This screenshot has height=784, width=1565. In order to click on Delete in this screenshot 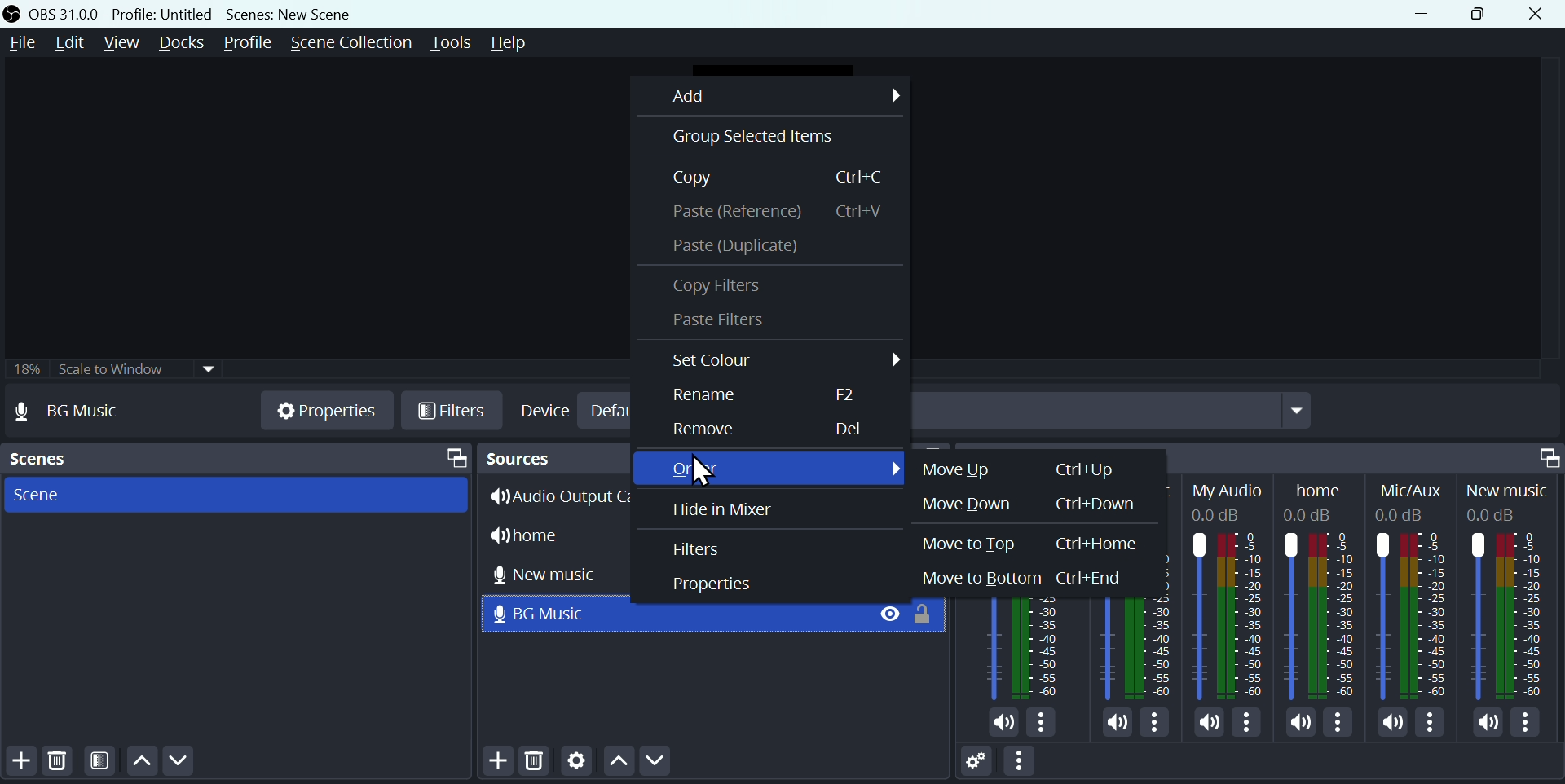, I will do `click(533, 762)`.